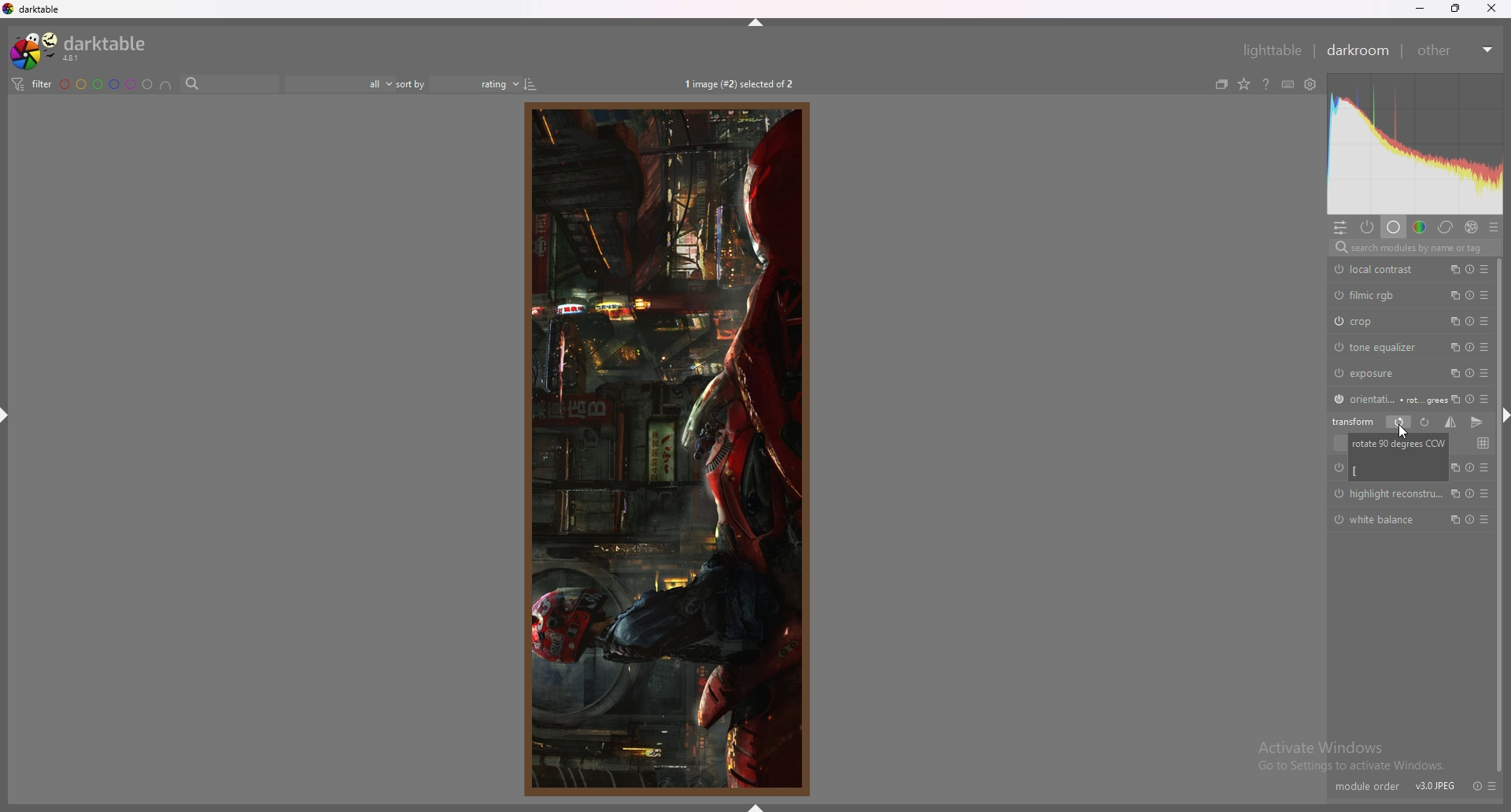 This screenshot has width=1511, height=812. Describe the element at coordinates (1450, 422) in the screenshot. I see `flip horizontally` at that location.